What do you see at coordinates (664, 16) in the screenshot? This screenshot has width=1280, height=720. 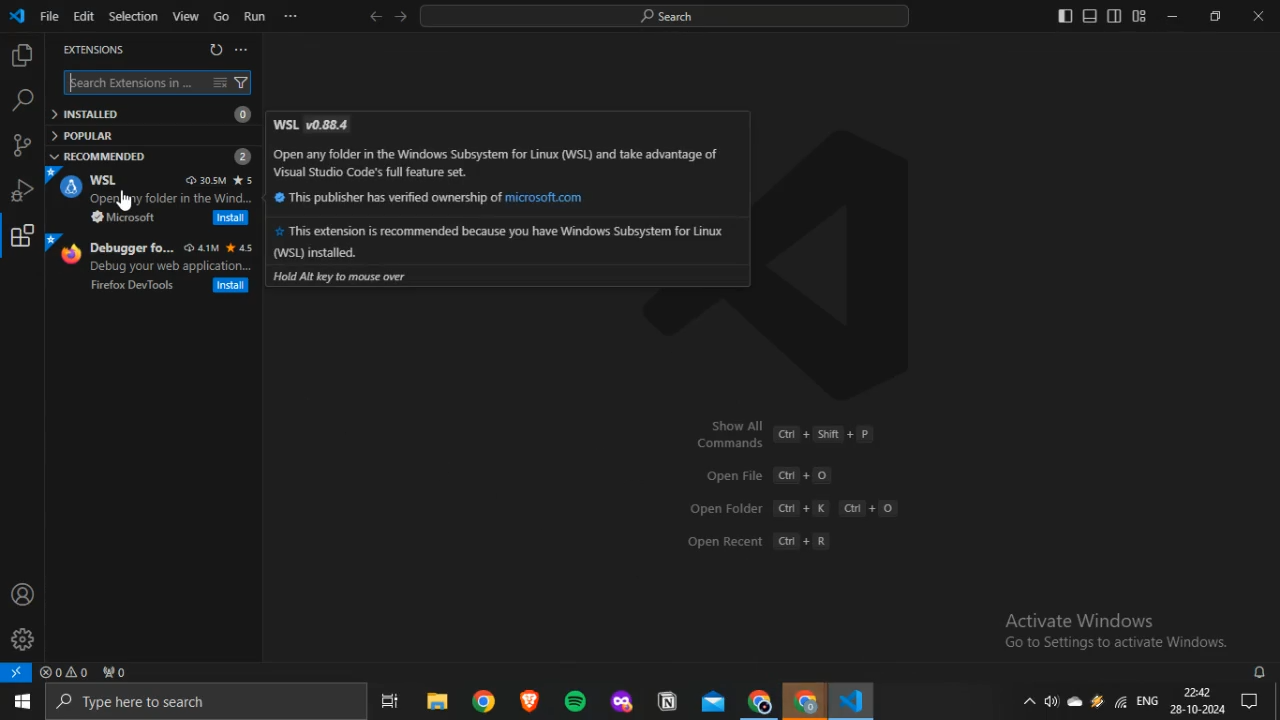 I see `search` at bounding box center [664, 16].